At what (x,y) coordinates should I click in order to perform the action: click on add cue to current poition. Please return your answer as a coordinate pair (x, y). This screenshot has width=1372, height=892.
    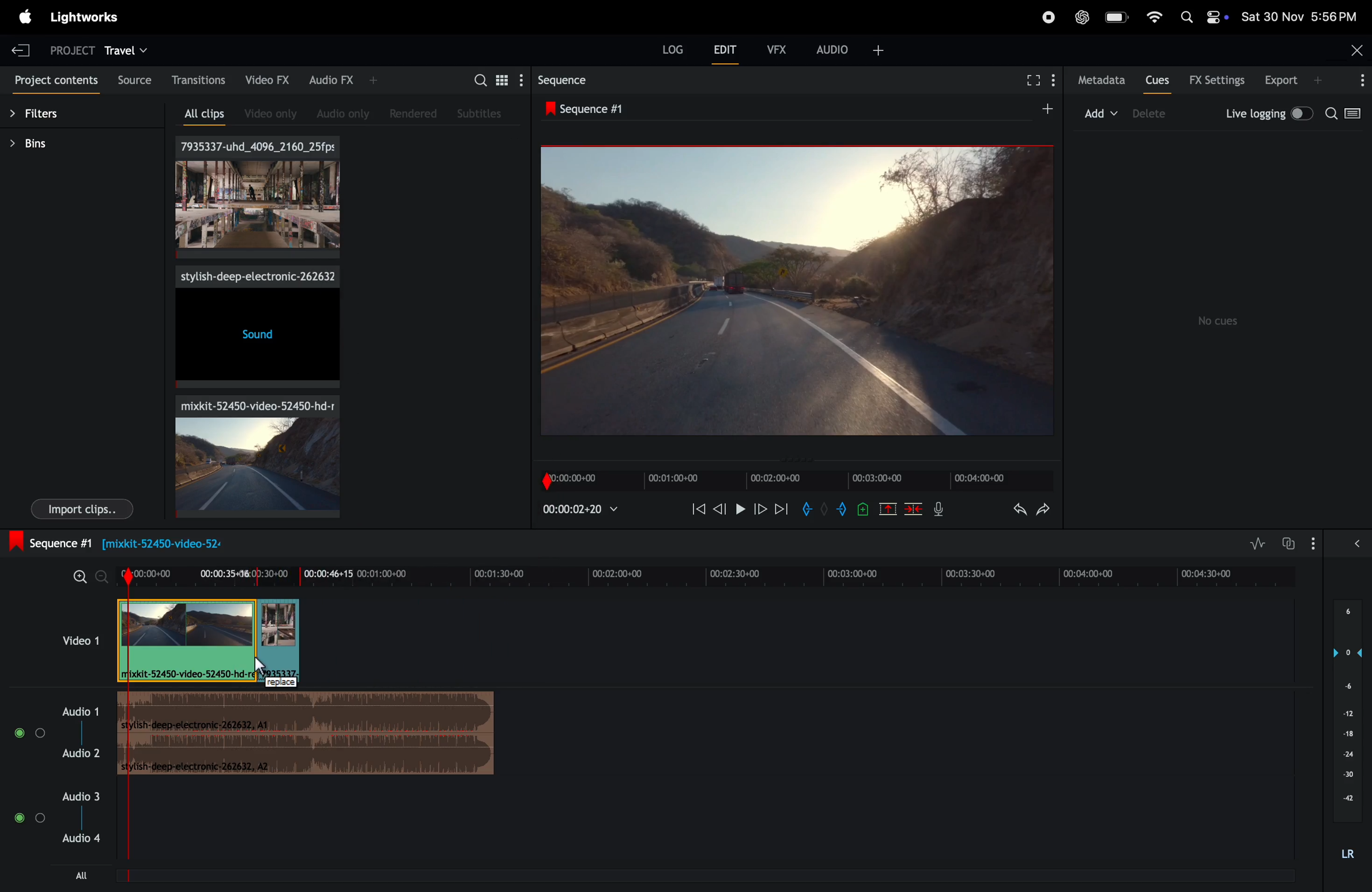
    Looking at the image, I should click on (863, 509).